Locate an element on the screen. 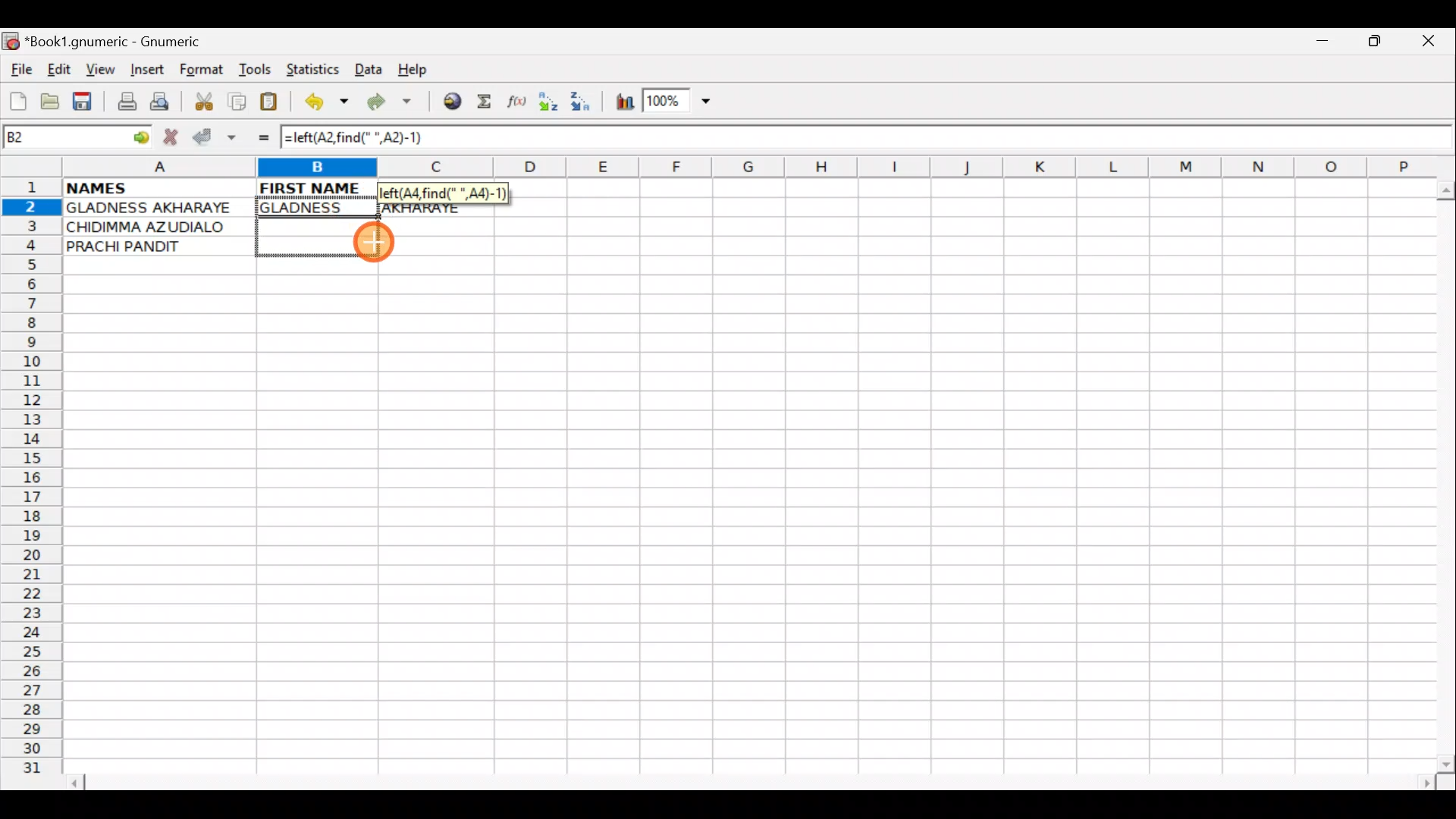  go to is located at coordinates (140, 135).